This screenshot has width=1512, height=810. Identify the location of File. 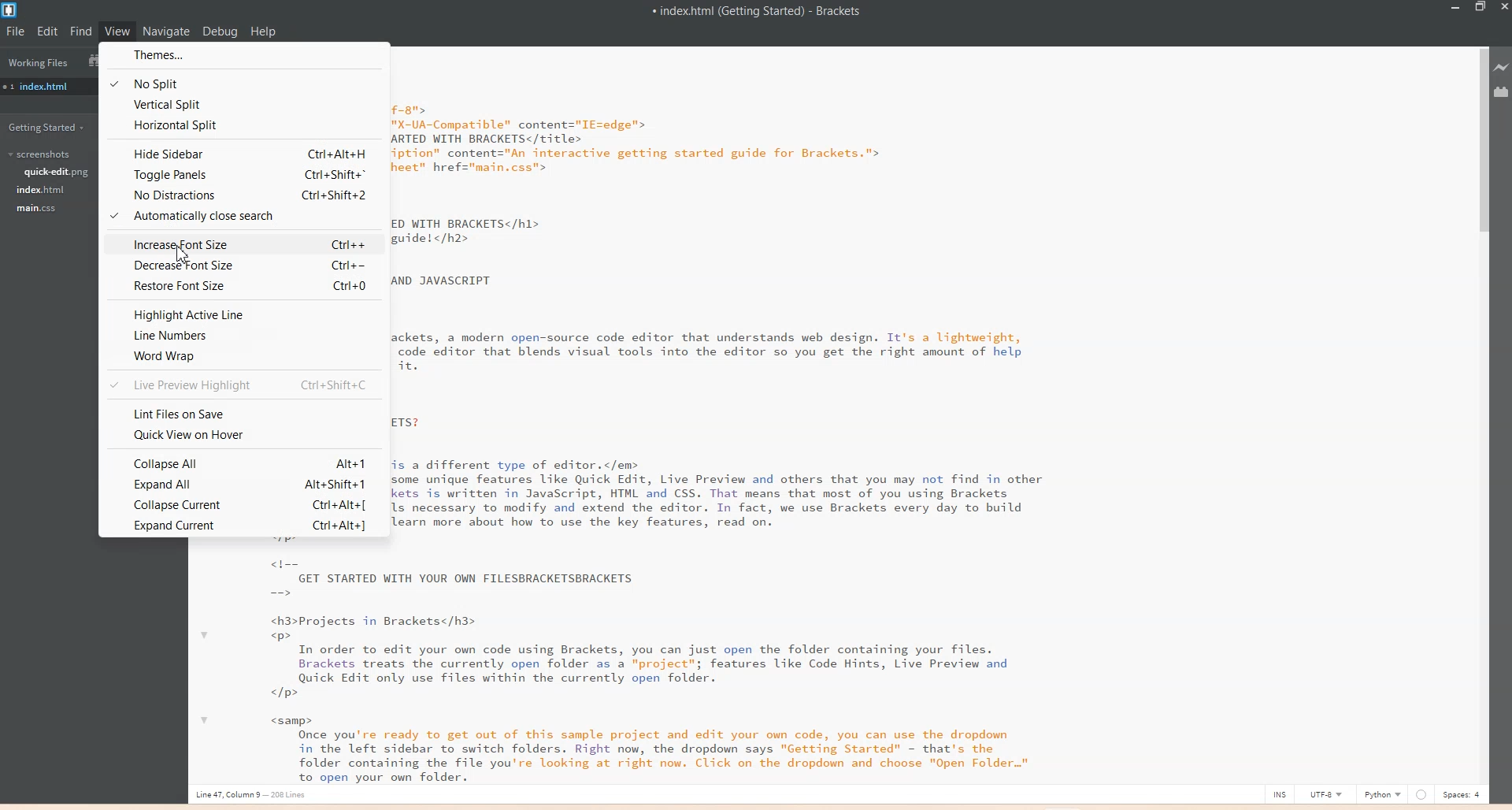
(15, 32).